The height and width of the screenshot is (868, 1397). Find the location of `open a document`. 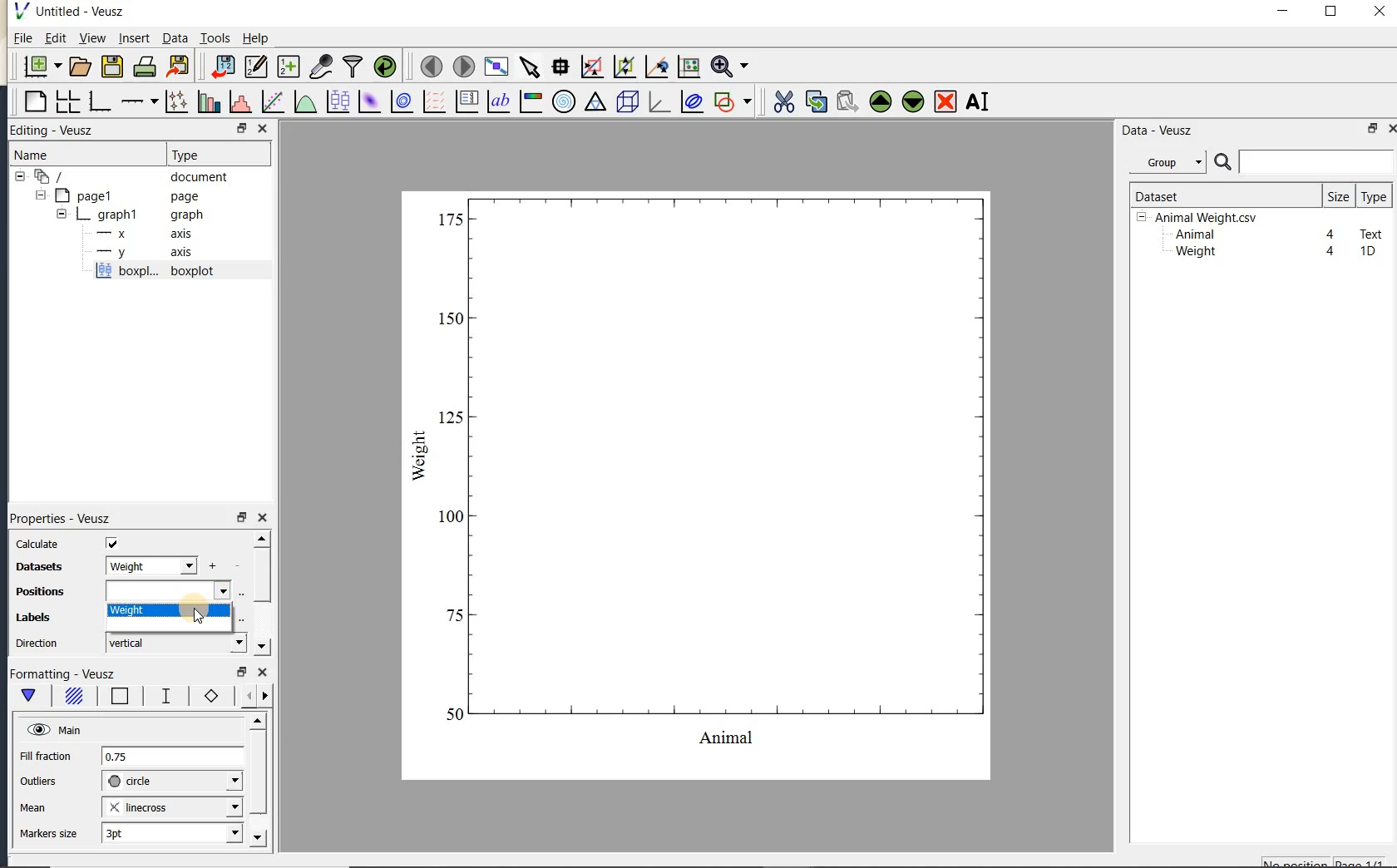

open a document is located at coordinates (78, 67).